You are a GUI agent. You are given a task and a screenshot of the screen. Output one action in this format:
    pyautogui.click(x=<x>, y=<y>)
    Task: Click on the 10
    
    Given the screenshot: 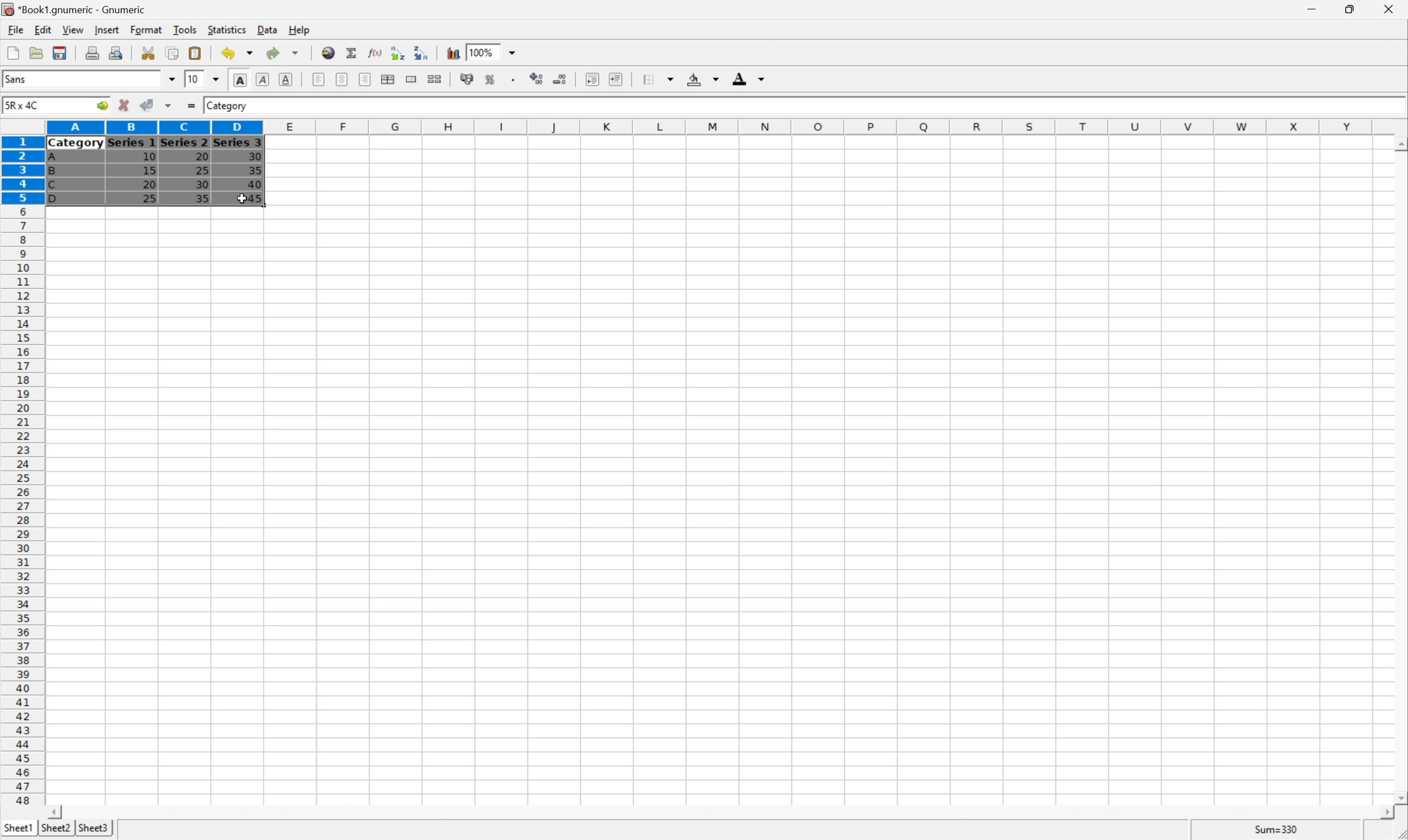 What is the action you would take?
    pyautogui.click(x=194, y=79)
    